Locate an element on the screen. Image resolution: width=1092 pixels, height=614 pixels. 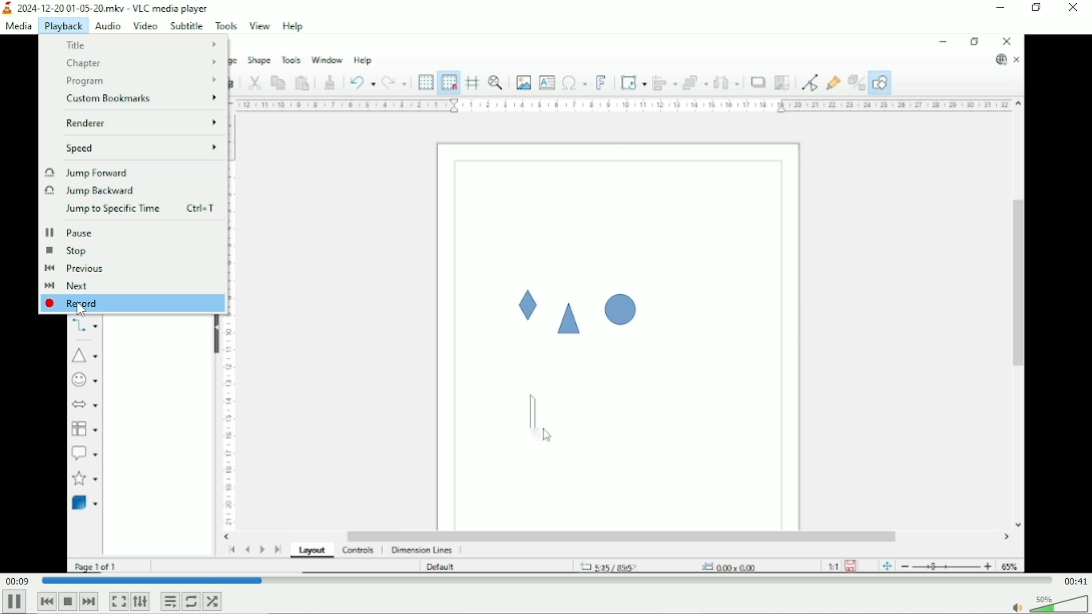
Renderer is located at coordinates (141, 123).